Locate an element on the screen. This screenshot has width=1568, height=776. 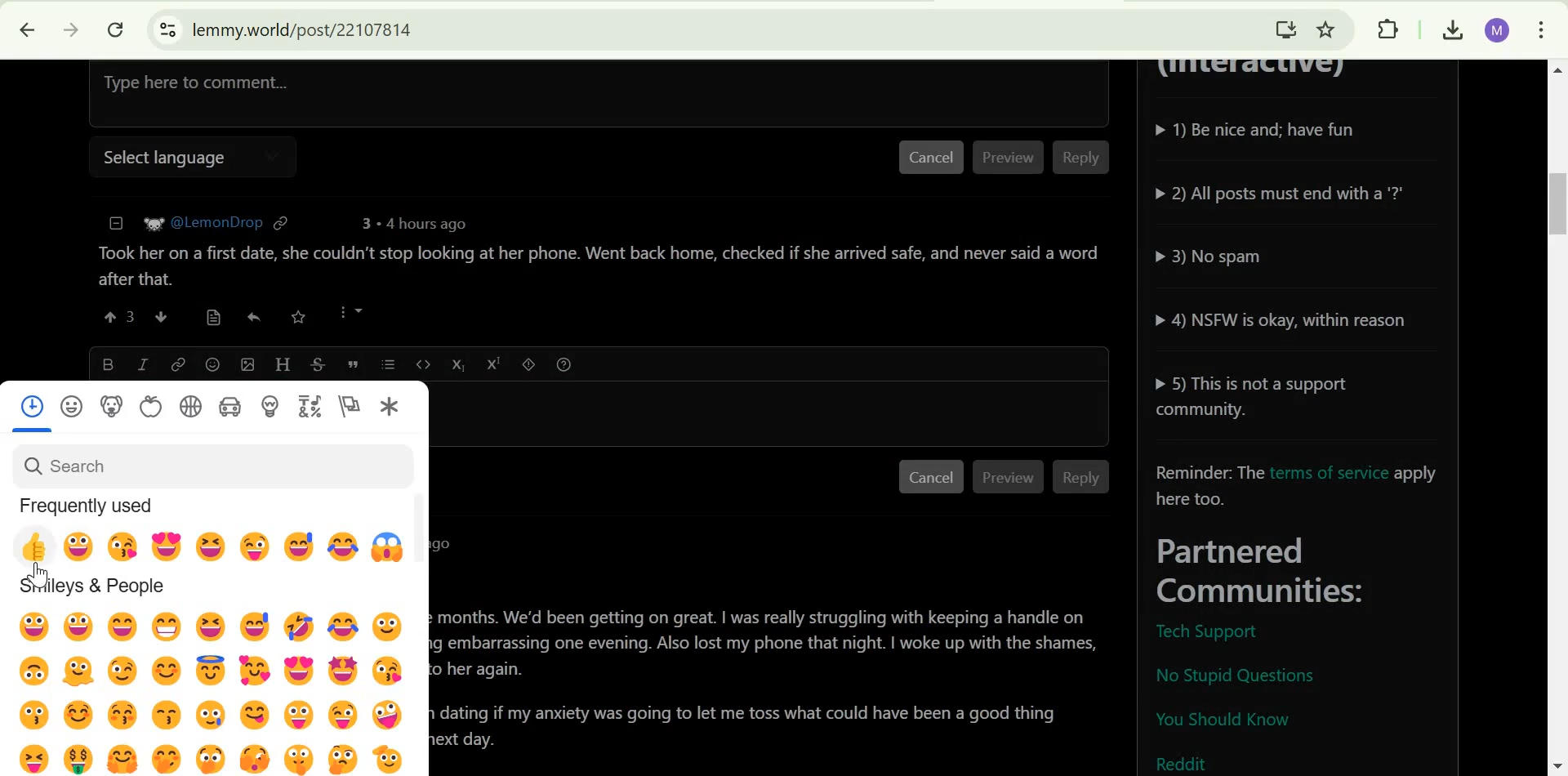
code is located at coordinates (422, 363).